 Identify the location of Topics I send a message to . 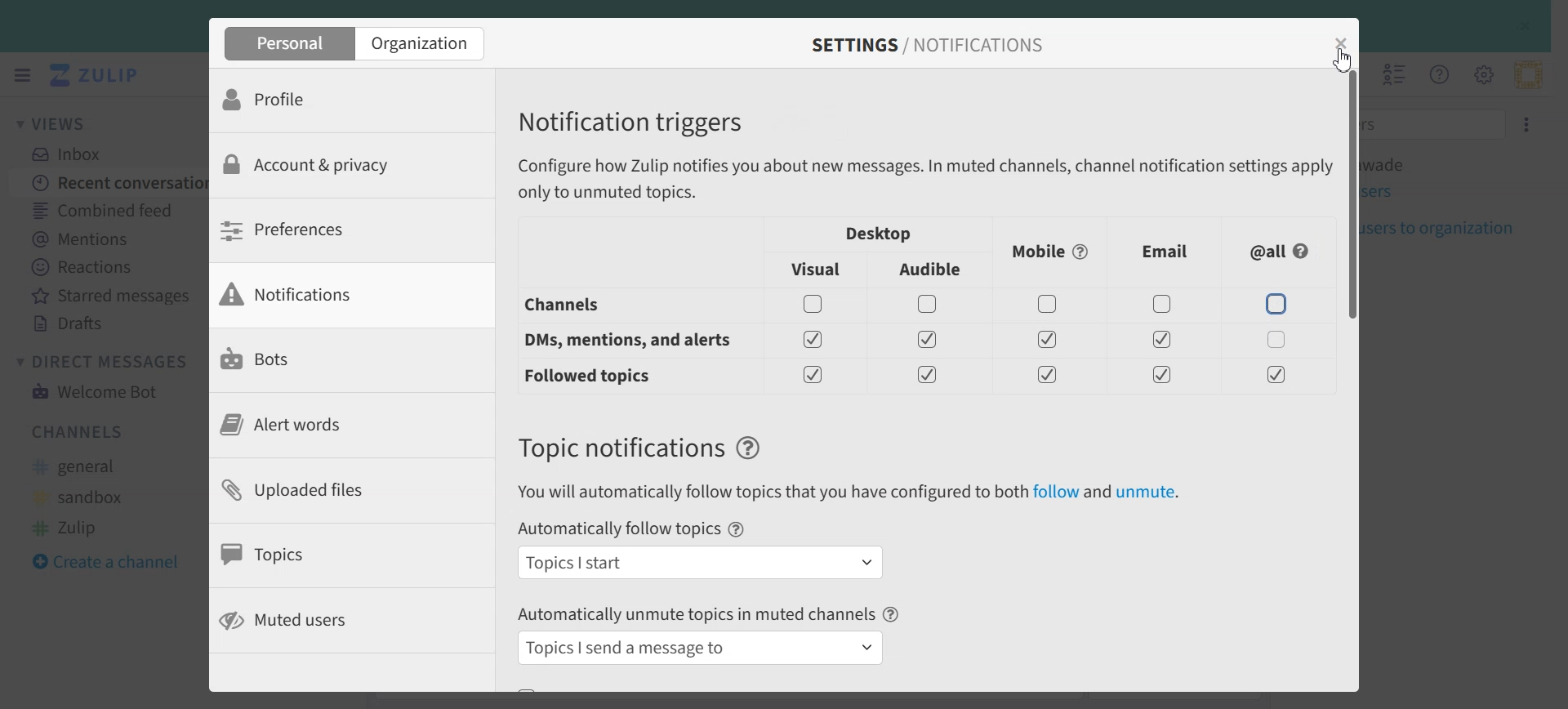
(703, 648).